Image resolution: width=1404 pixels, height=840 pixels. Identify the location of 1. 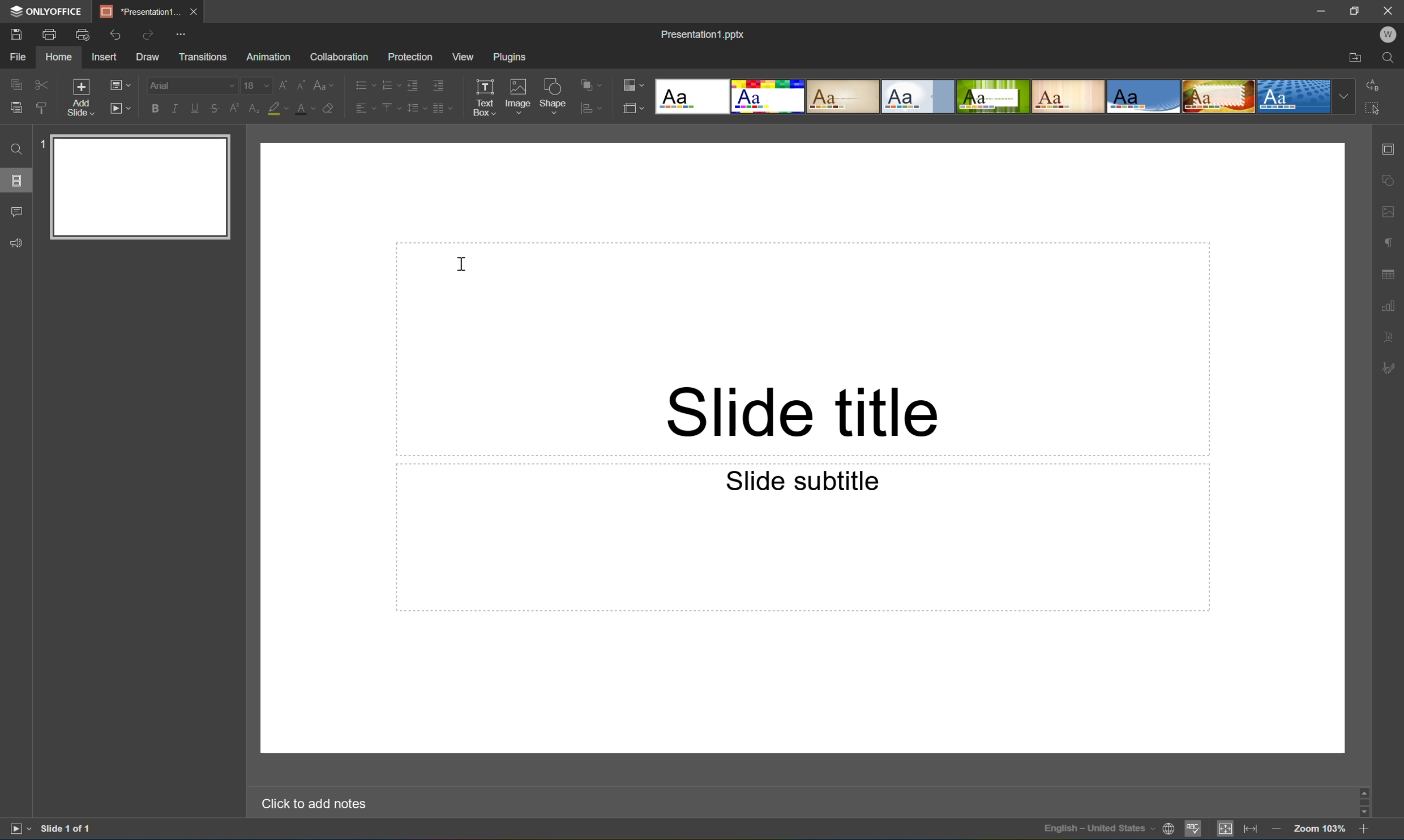
(41, 147).